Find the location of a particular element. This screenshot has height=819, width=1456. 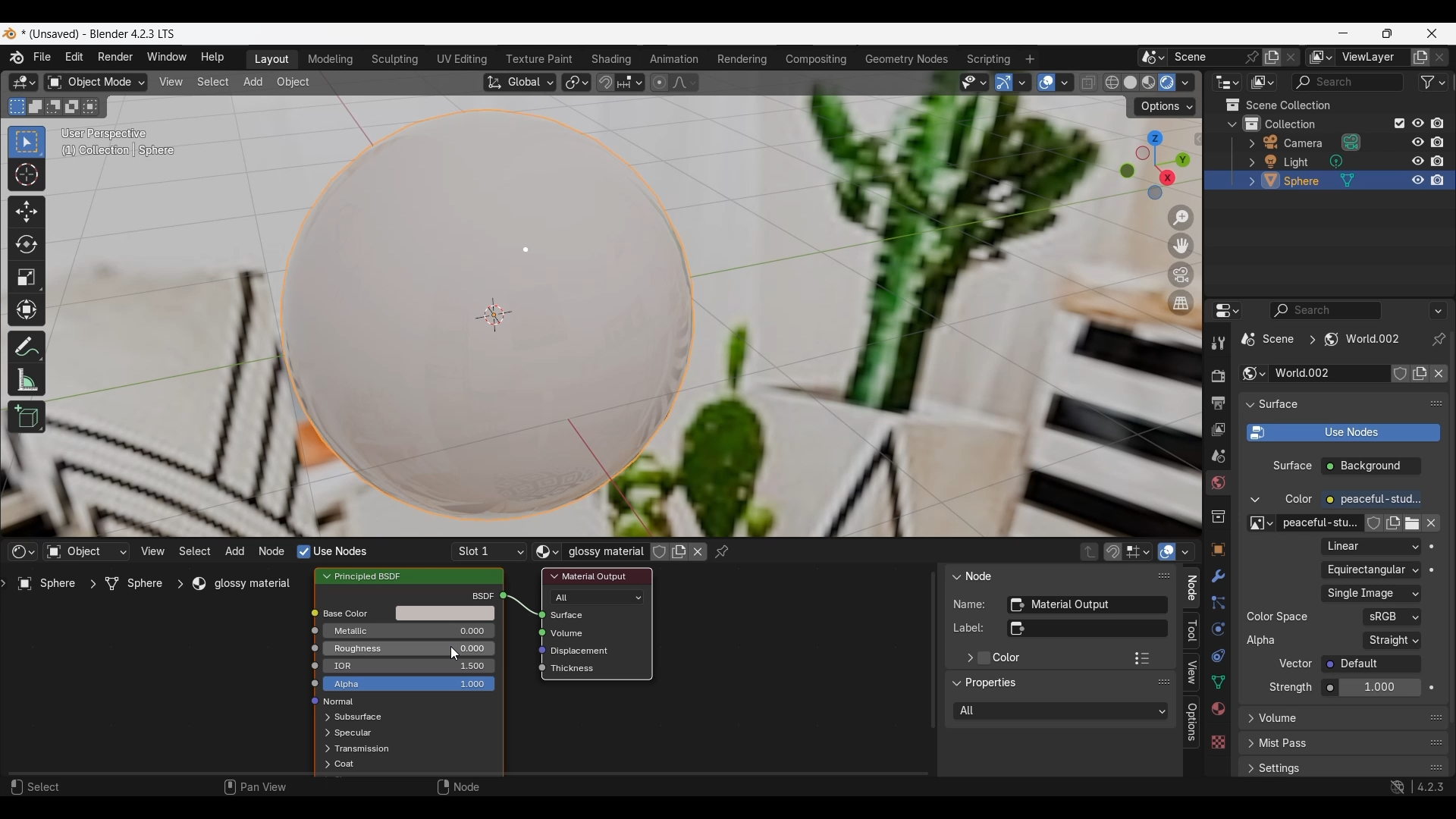

Unlink data block is located at coordinates (698, 551).